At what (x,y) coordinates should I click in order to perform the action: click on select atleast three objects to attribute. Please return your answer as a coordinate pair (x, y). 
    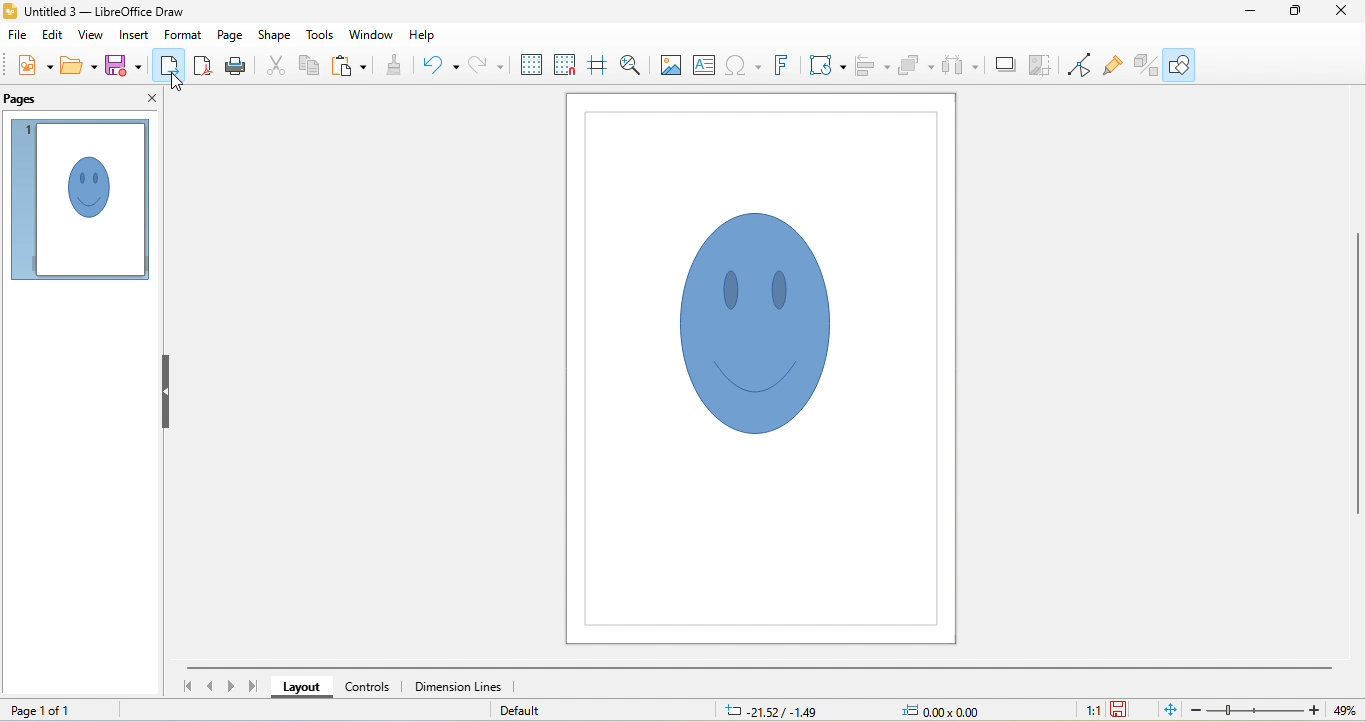
    Looking at the image, I should click on (960, 66).